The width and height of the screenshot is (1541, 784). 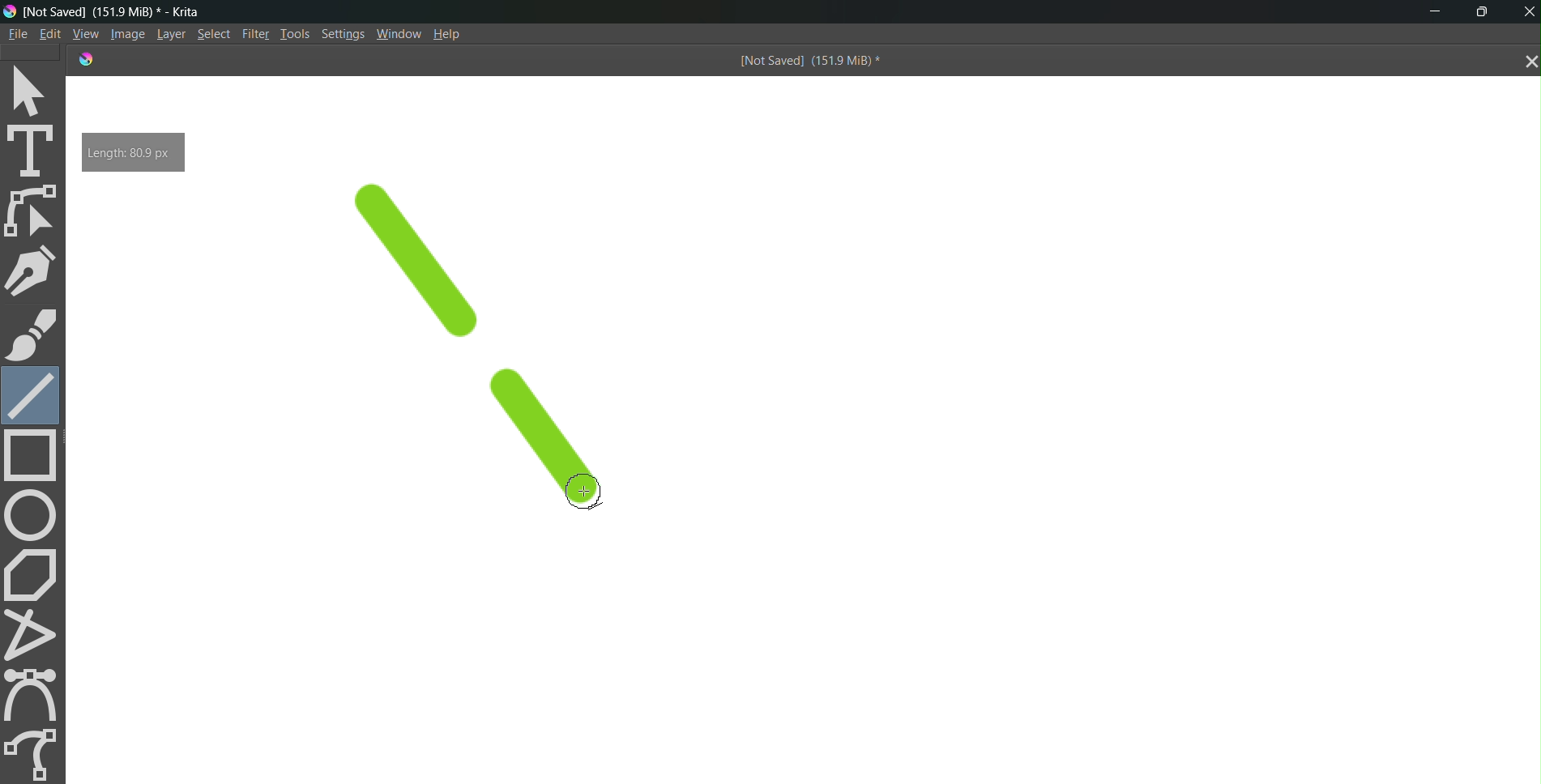 What do you see at coordinates (32, 334) in the screenshot?
I see `brush` at bounding box center [32, 334].